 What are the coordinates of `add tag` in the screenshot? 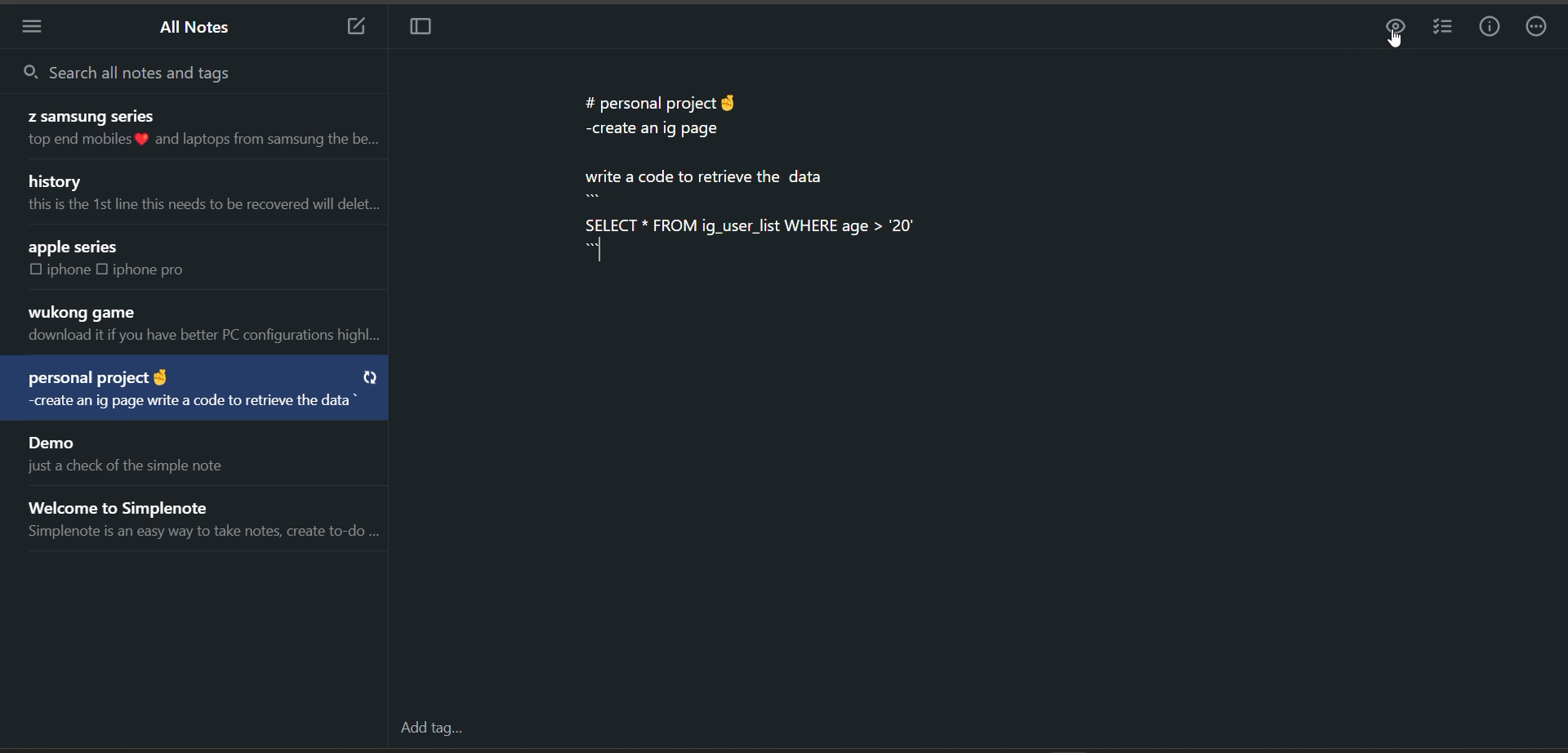 It's located at (429, 730).